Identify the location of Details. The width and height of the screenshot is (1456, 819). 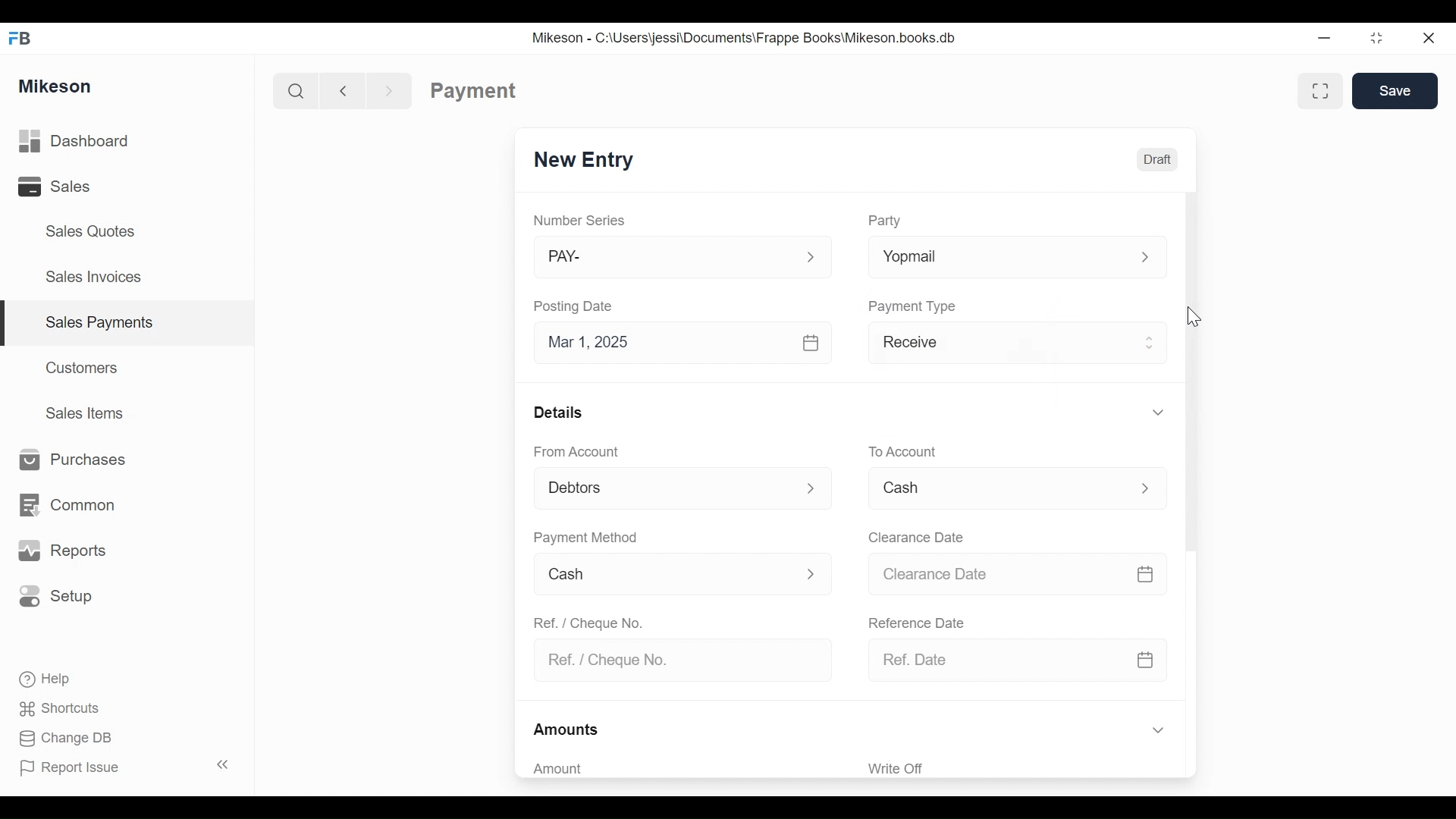
(561, 413).